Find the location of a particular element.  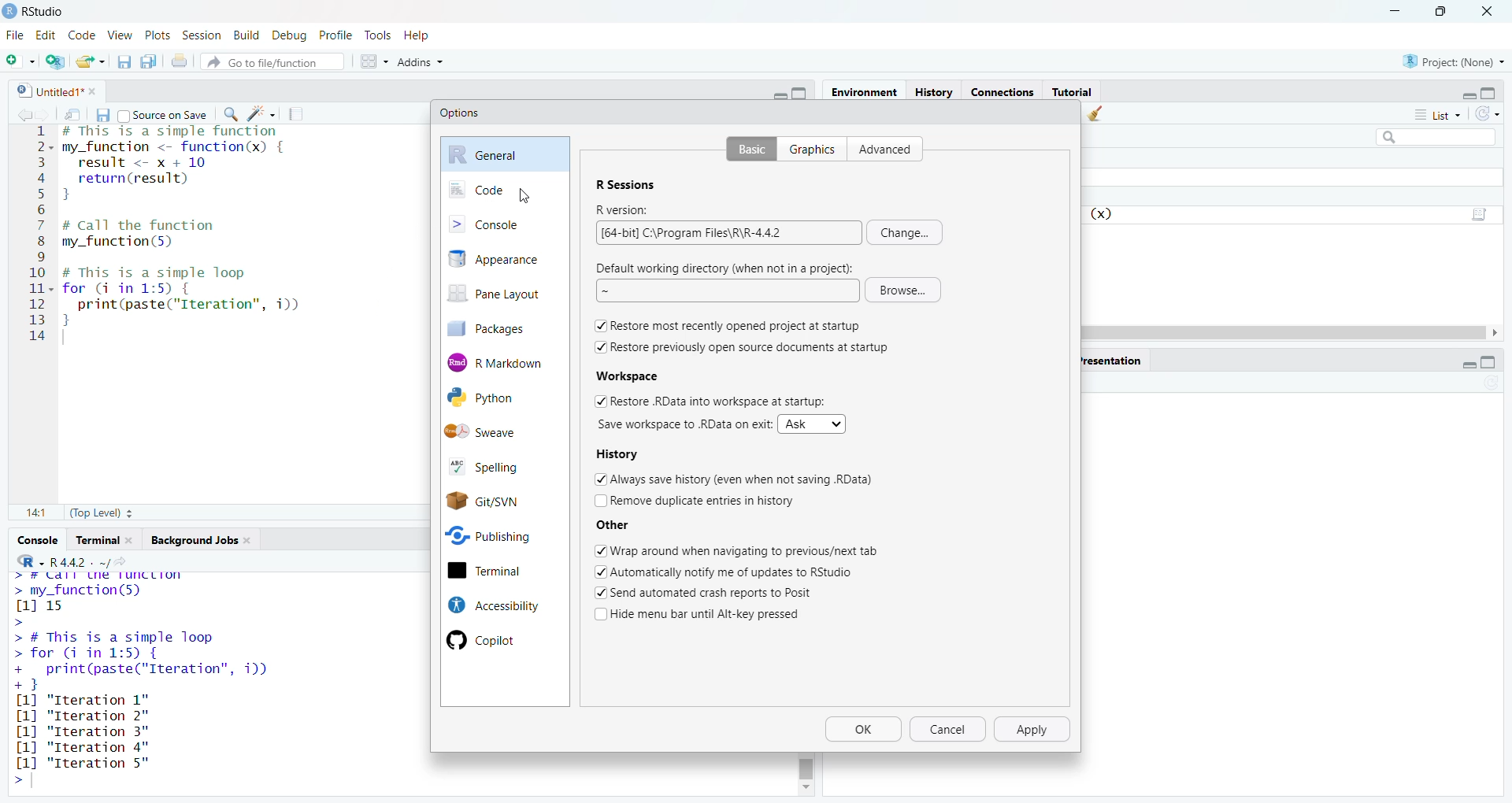

appearance is located at coordinates (505, 259).